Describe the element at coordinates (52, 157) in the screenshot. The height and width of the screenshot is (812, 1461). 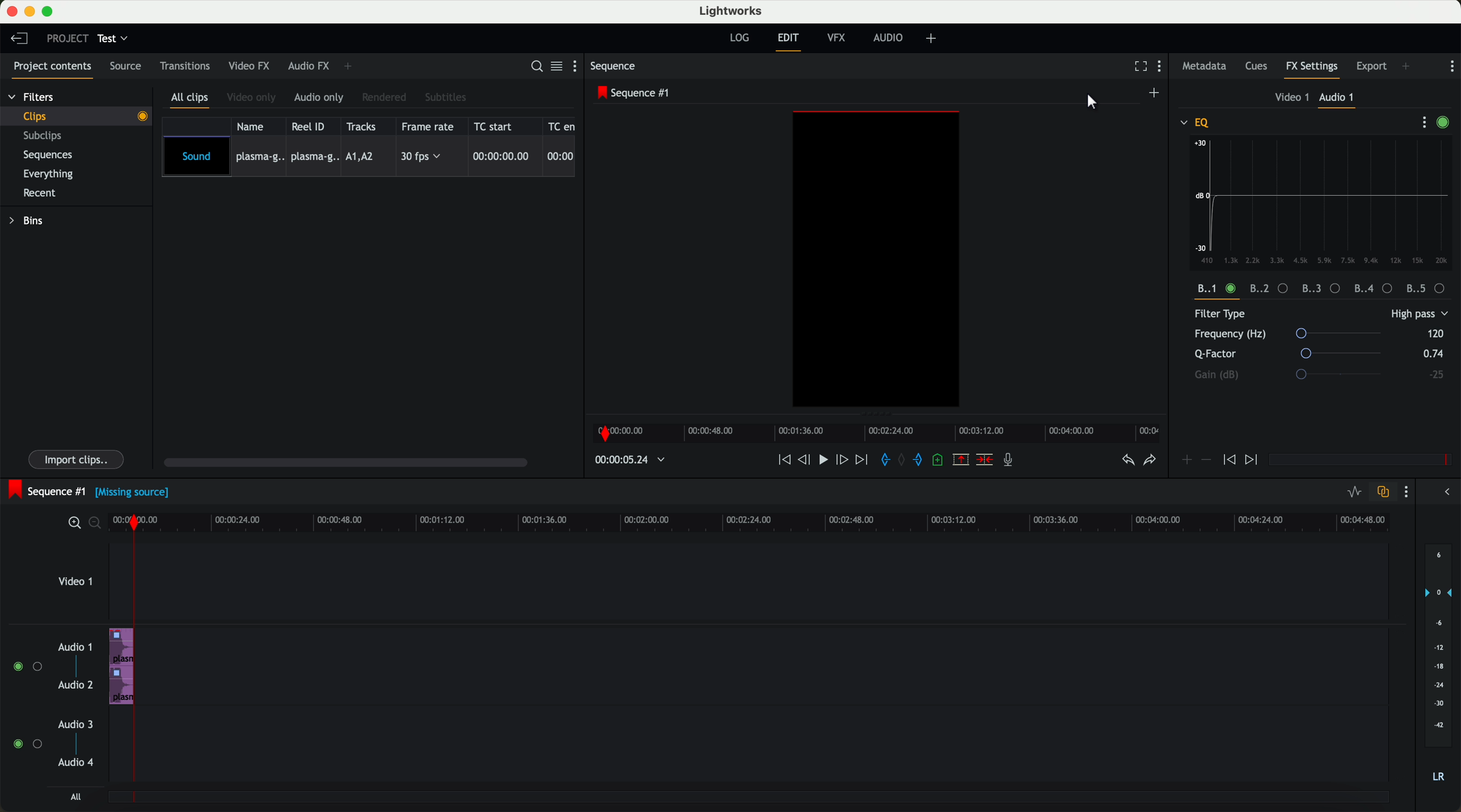
I see `sequences` at that location.